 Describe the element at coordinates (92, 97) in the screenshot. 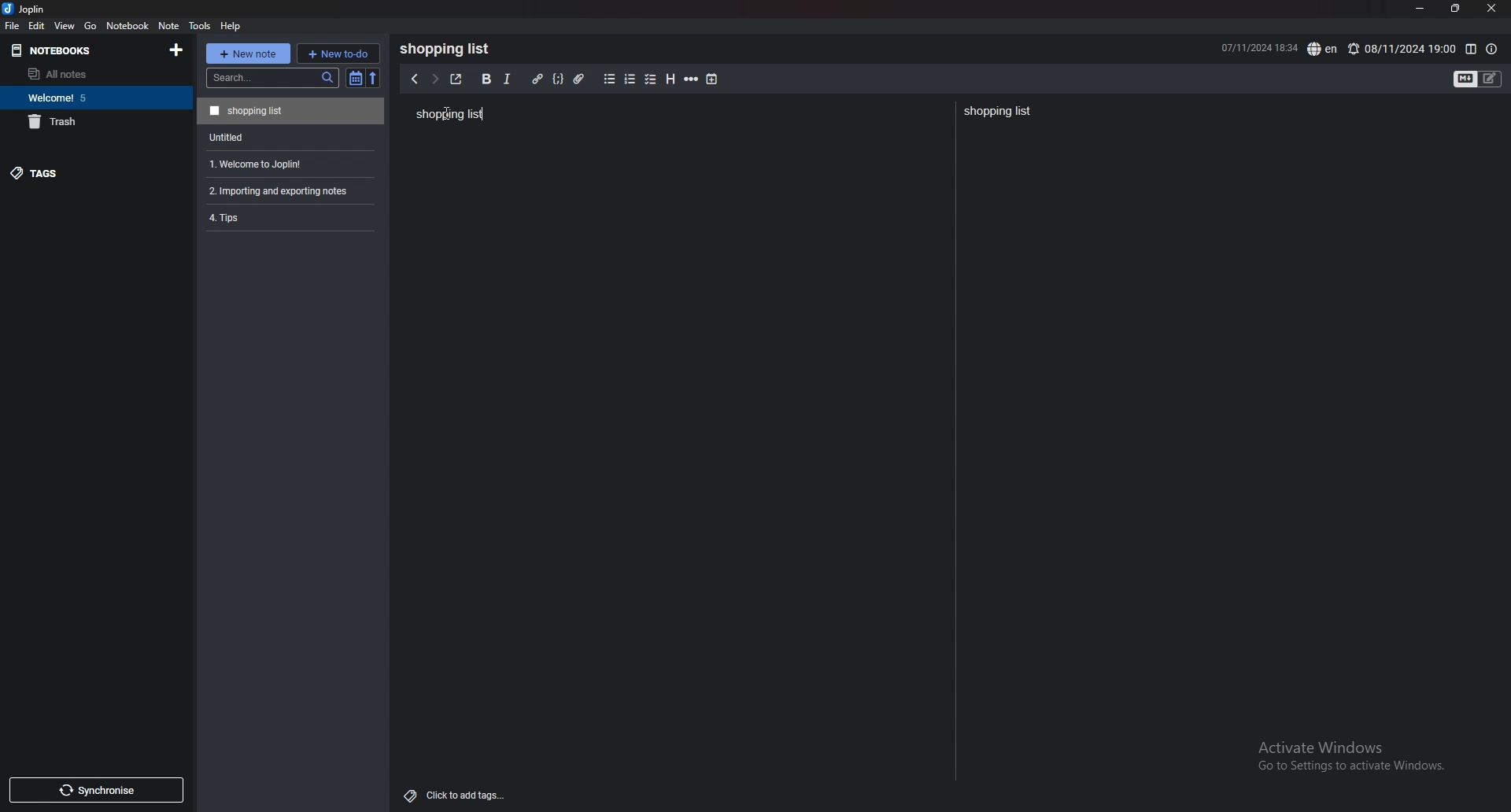

I see `Welcome 5` at that location.